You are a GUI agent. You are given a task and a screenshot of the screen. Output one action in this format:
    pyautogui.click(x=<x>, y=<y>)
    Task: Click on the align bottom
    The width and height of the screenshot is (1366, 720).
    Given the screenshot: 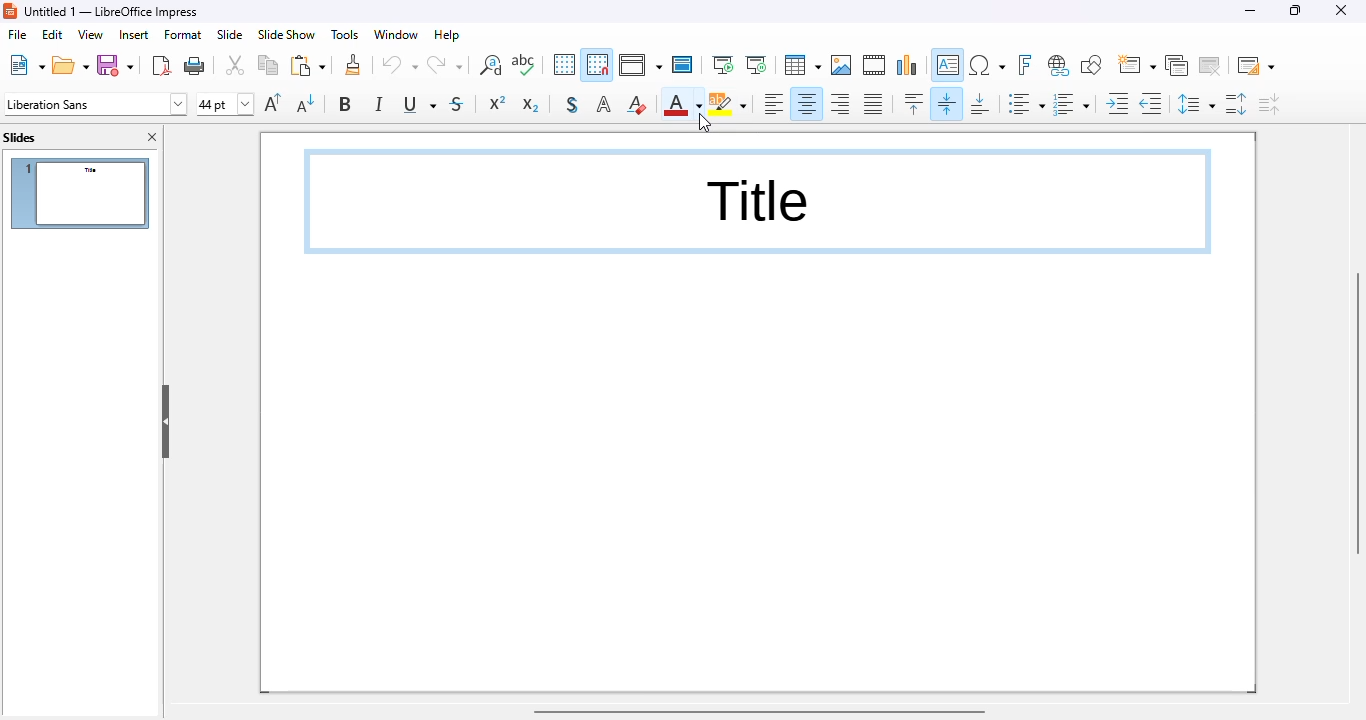 What is the action you would take?
    pyautogui.click(x=979, y=104)
    